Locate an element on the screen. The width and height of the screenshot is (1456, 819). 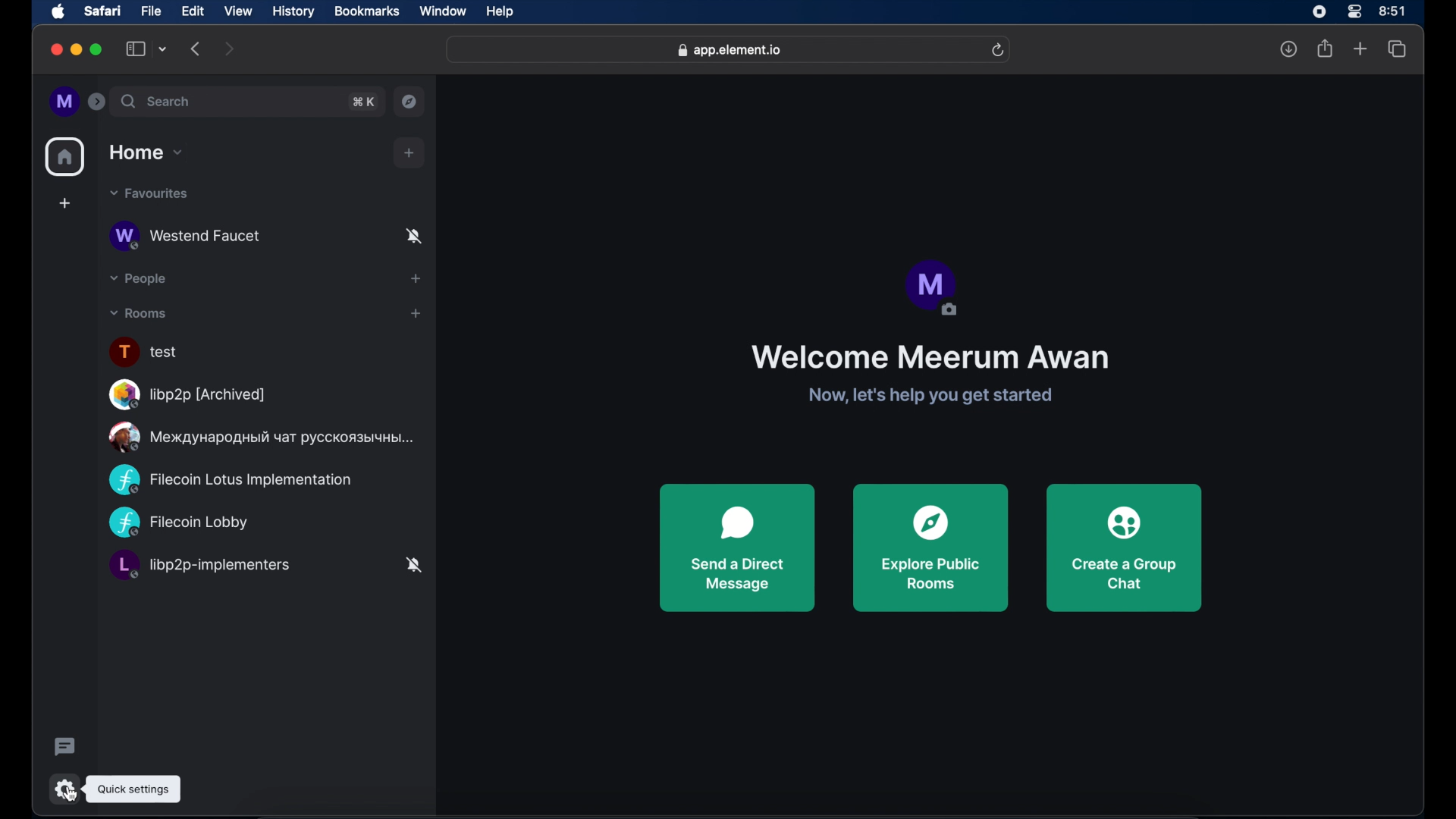
profile is located at coordinates (934, 288).